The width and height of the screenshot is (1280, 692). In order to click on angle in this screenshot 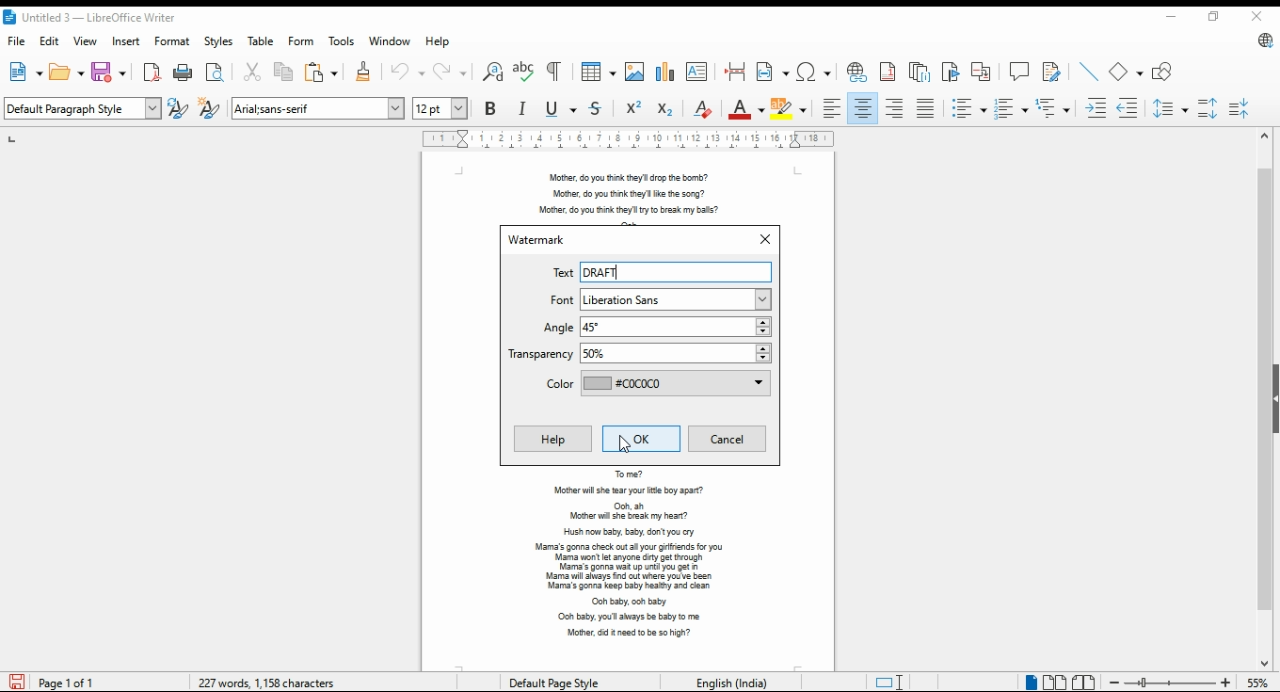, I will do `click(655, 327)`.